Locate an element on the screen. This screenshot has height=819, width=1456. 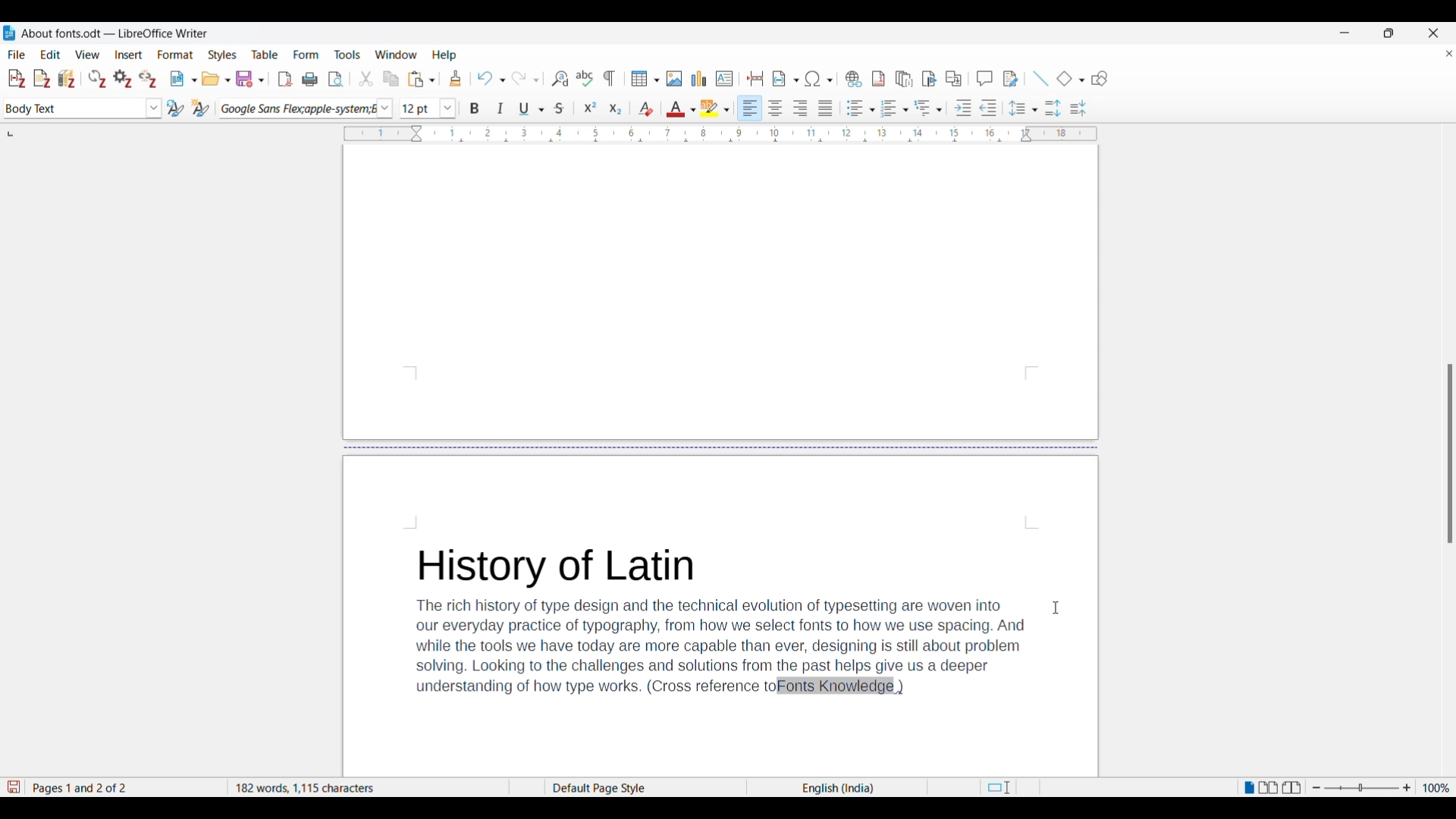
Table menu is located at coordinates (265, 55).